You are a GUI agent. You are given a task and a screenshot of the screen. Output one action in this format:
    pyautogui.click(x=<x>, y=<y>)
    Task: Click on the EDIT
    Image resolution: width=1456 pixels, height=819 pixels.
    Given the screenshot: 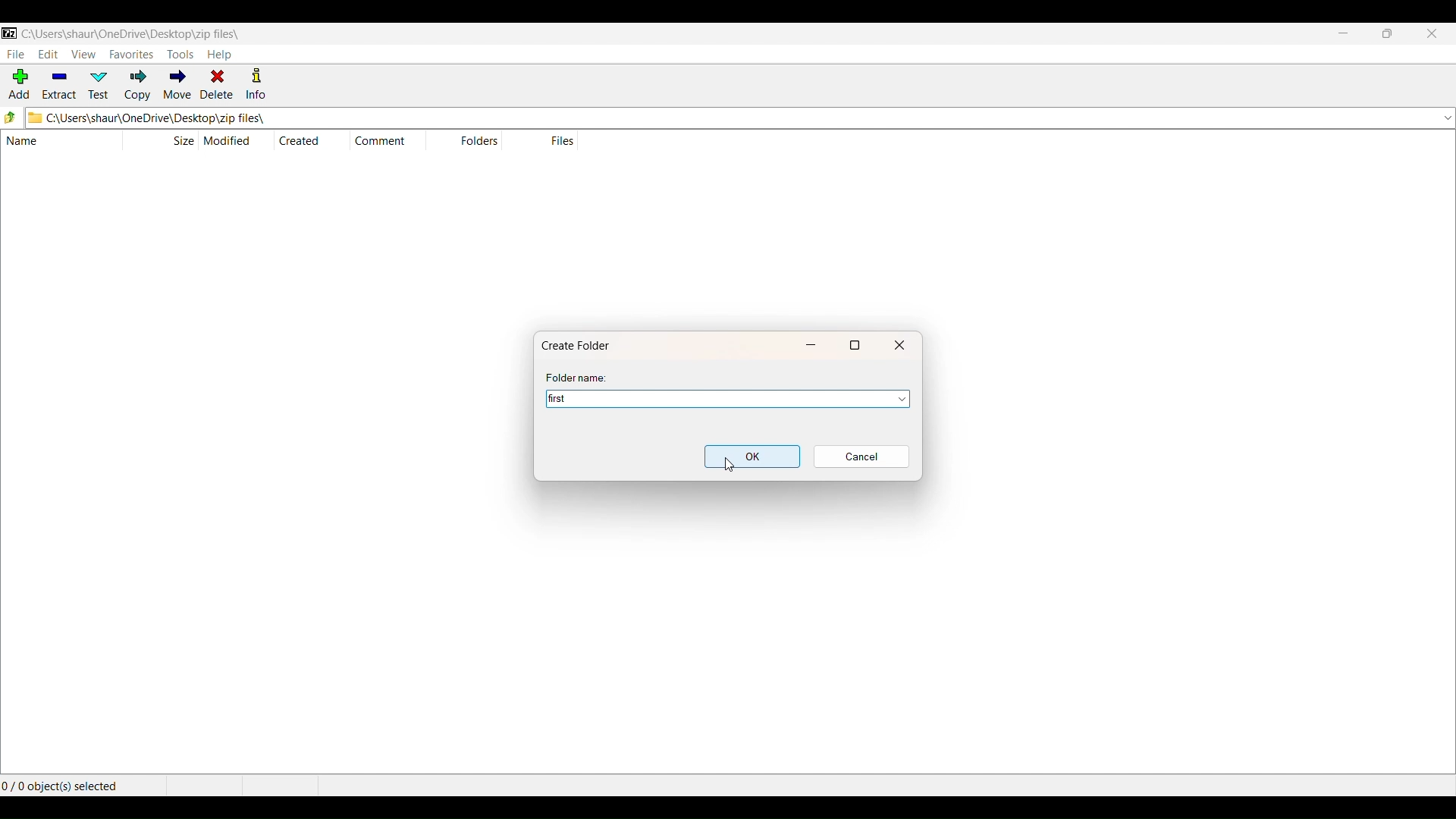 What is the action you would take?
    pyautogui.click(x=48, y=55)
    